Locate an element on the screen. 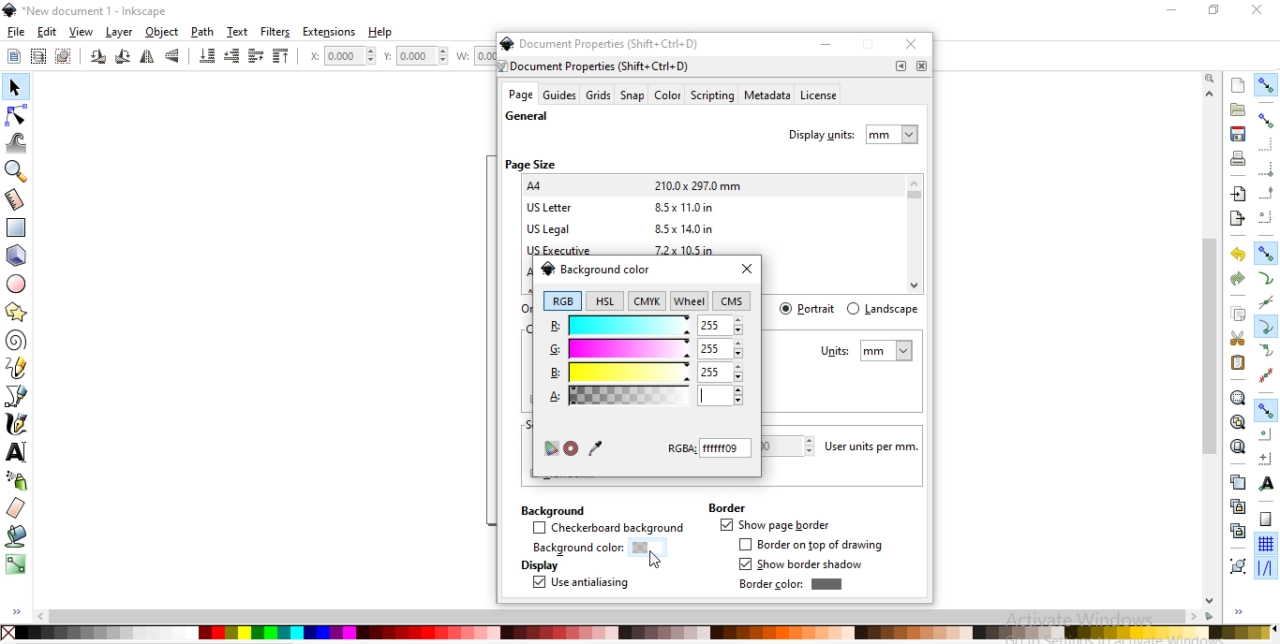 The image size is (1280, 644). raise selection one step is located at coordinates (254, 57).